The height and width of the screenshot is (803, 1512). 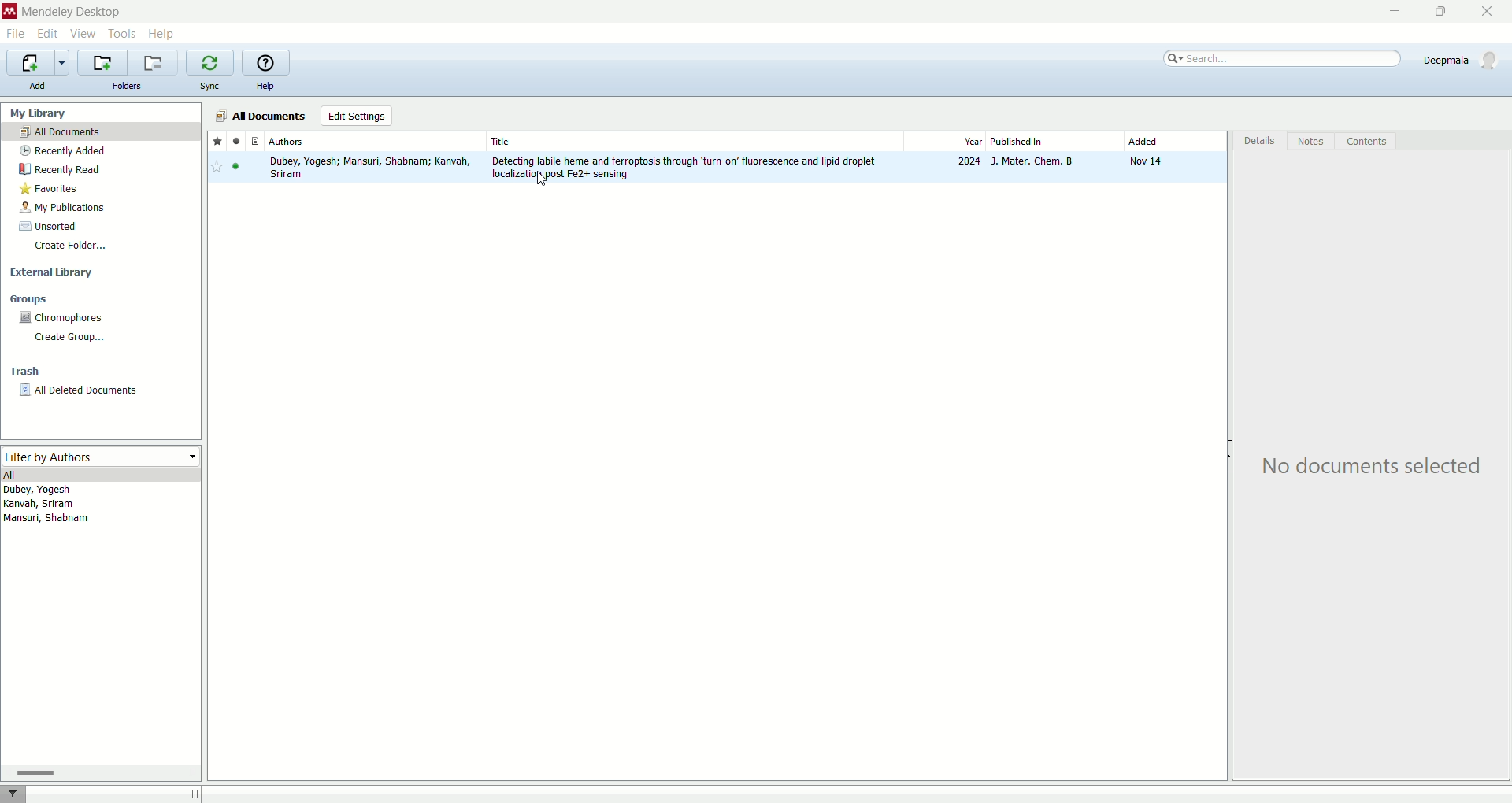 What do you see at coordinates (261, 116) in the screenshot?
I see `all documents` at bounding box center [261, 116].